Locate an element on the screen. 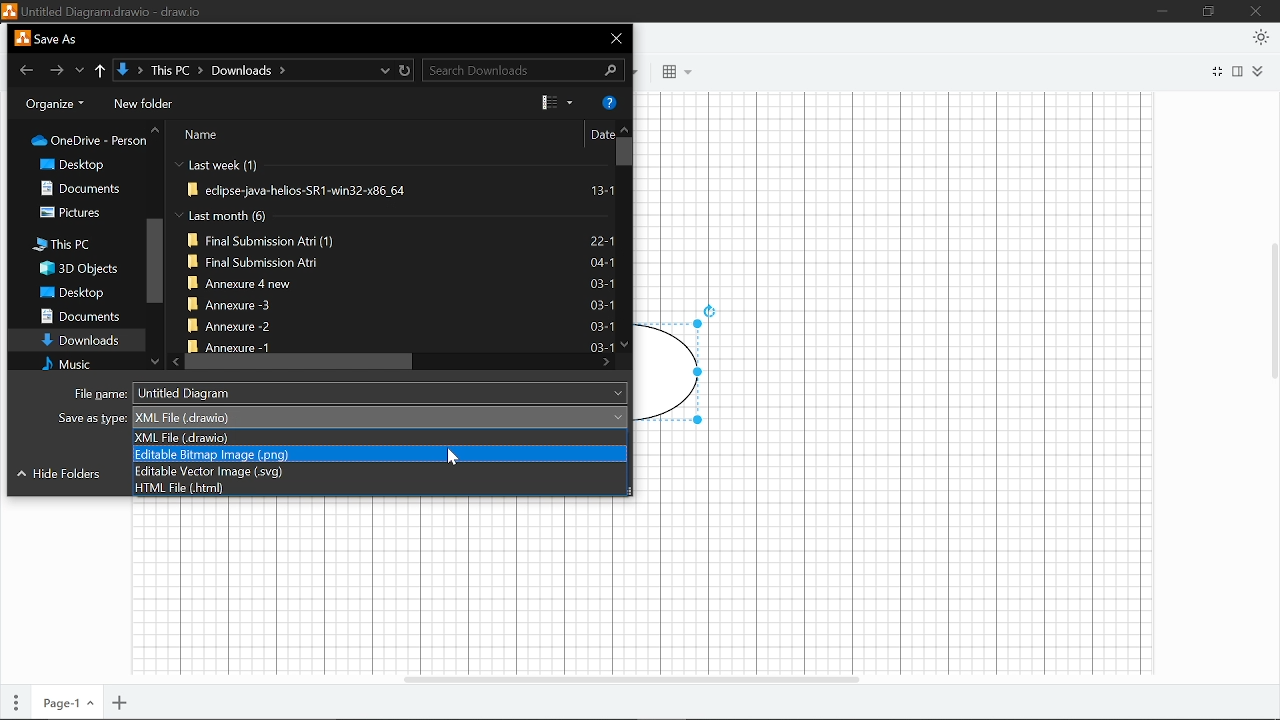 This screenshot has width=1280, height=720. restore down is located at coordinates (1210, 12).